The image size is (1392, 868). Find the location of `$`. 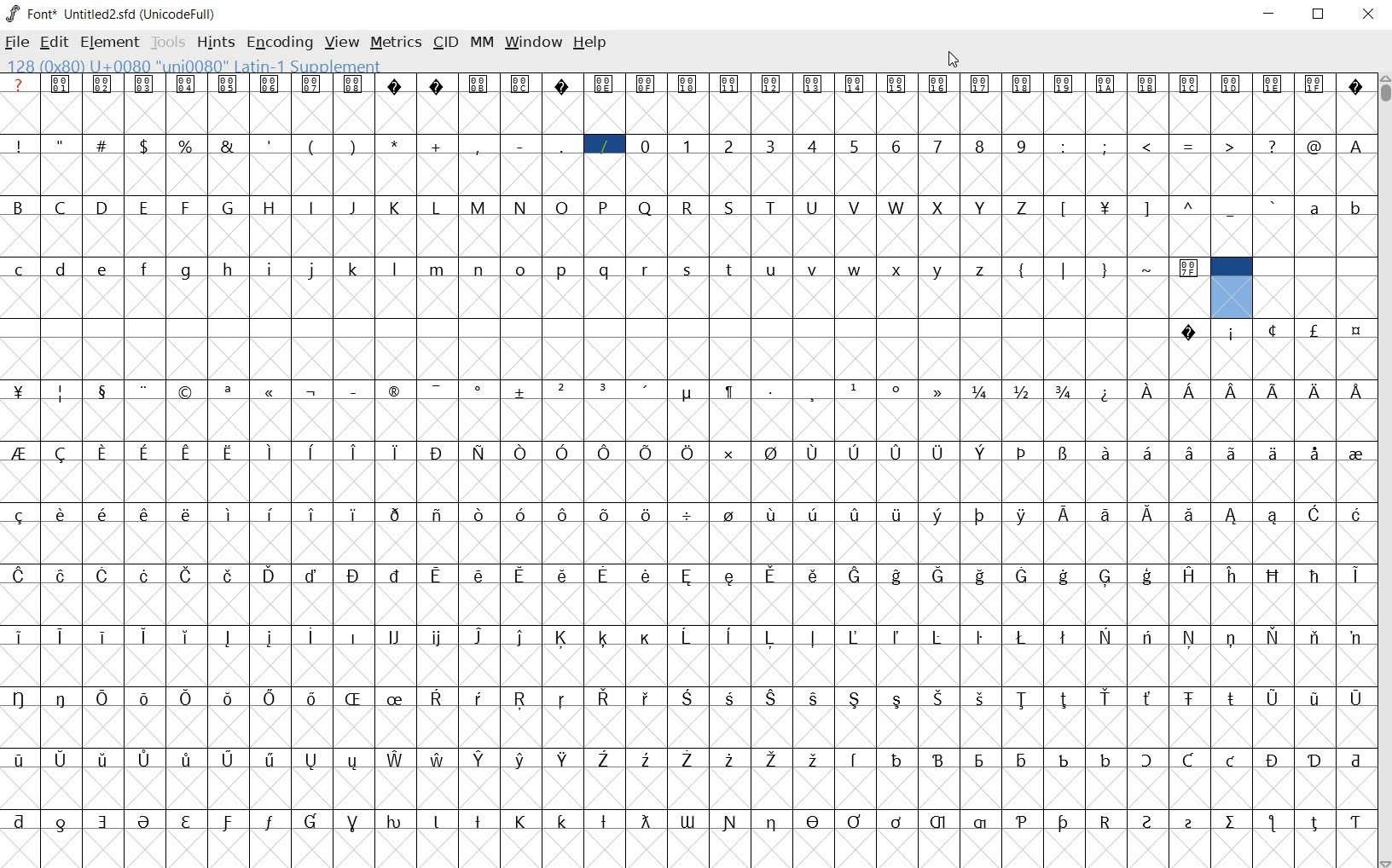

$ is located at coordinates (146, 146).